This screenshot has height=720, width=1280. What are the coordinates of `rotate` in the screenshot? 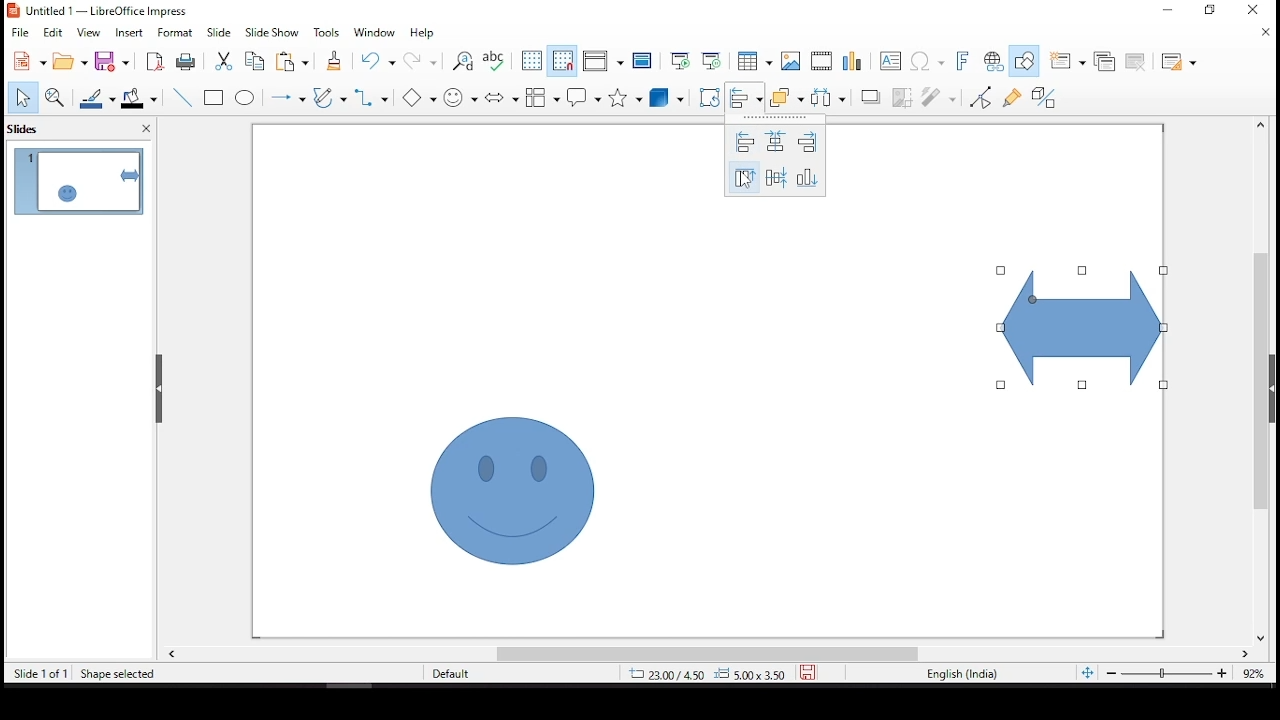 It's located at (709, 97).